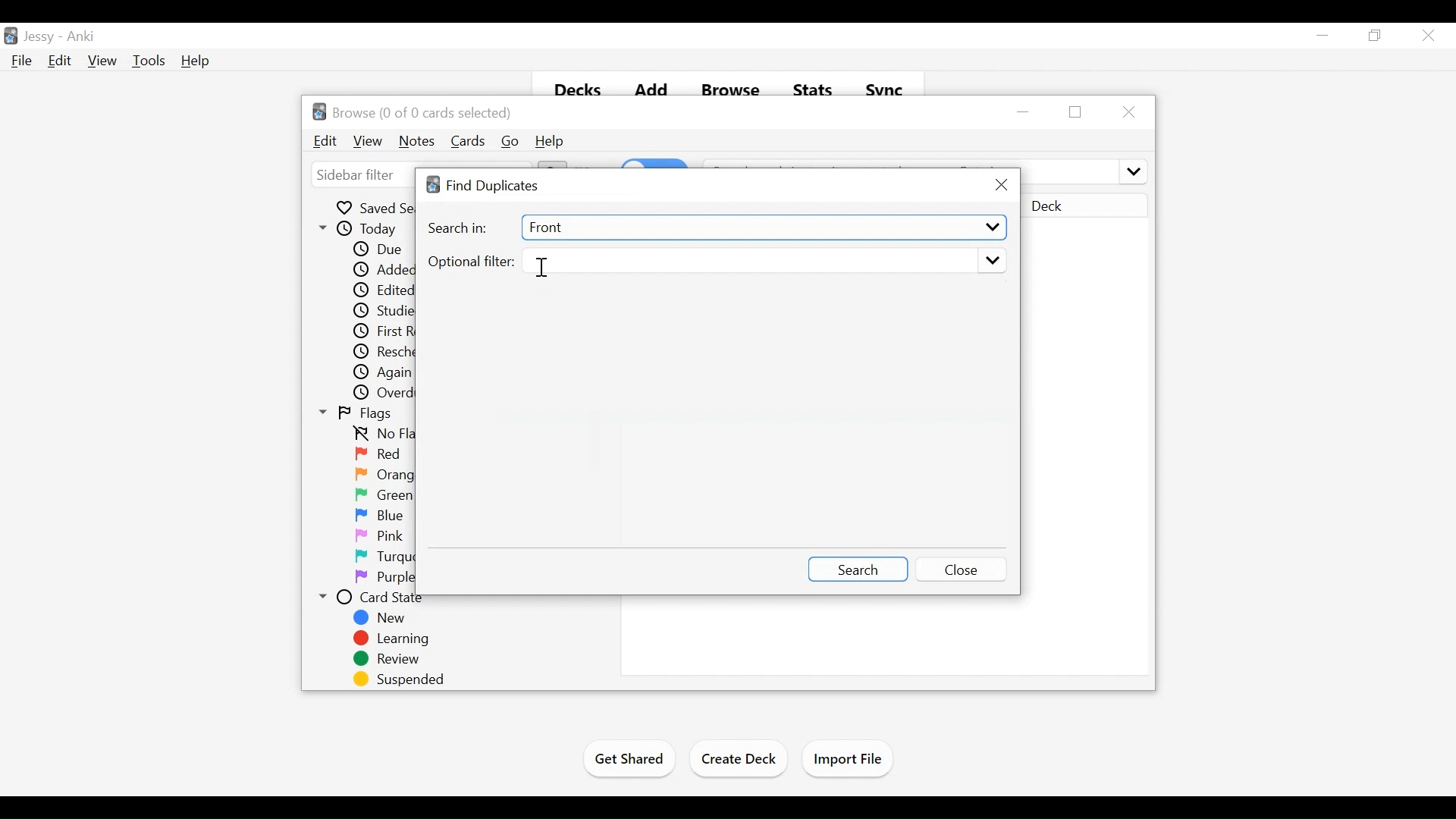 The height and width of the screenshot is (819, 1456). I want to click on Green, so click(384, 495).